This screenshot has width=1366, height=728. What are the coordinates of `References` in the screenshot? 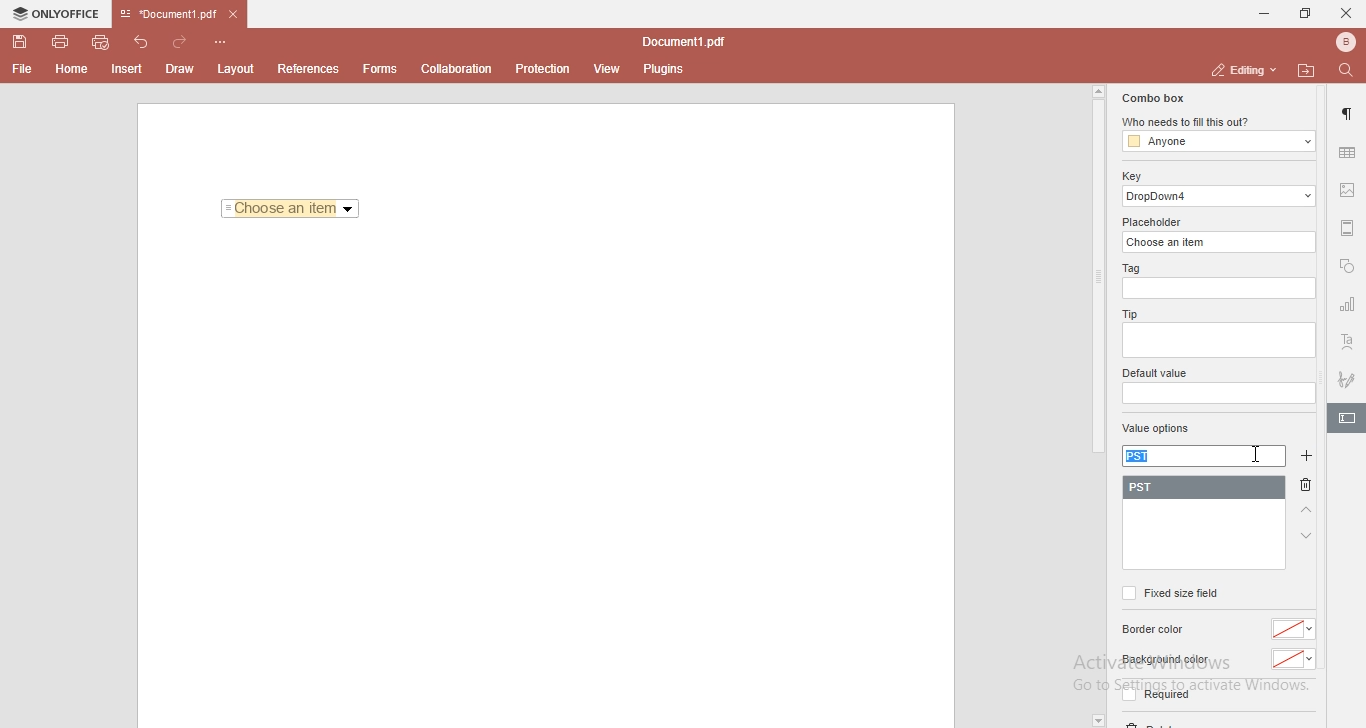 It's located at (306, 69).